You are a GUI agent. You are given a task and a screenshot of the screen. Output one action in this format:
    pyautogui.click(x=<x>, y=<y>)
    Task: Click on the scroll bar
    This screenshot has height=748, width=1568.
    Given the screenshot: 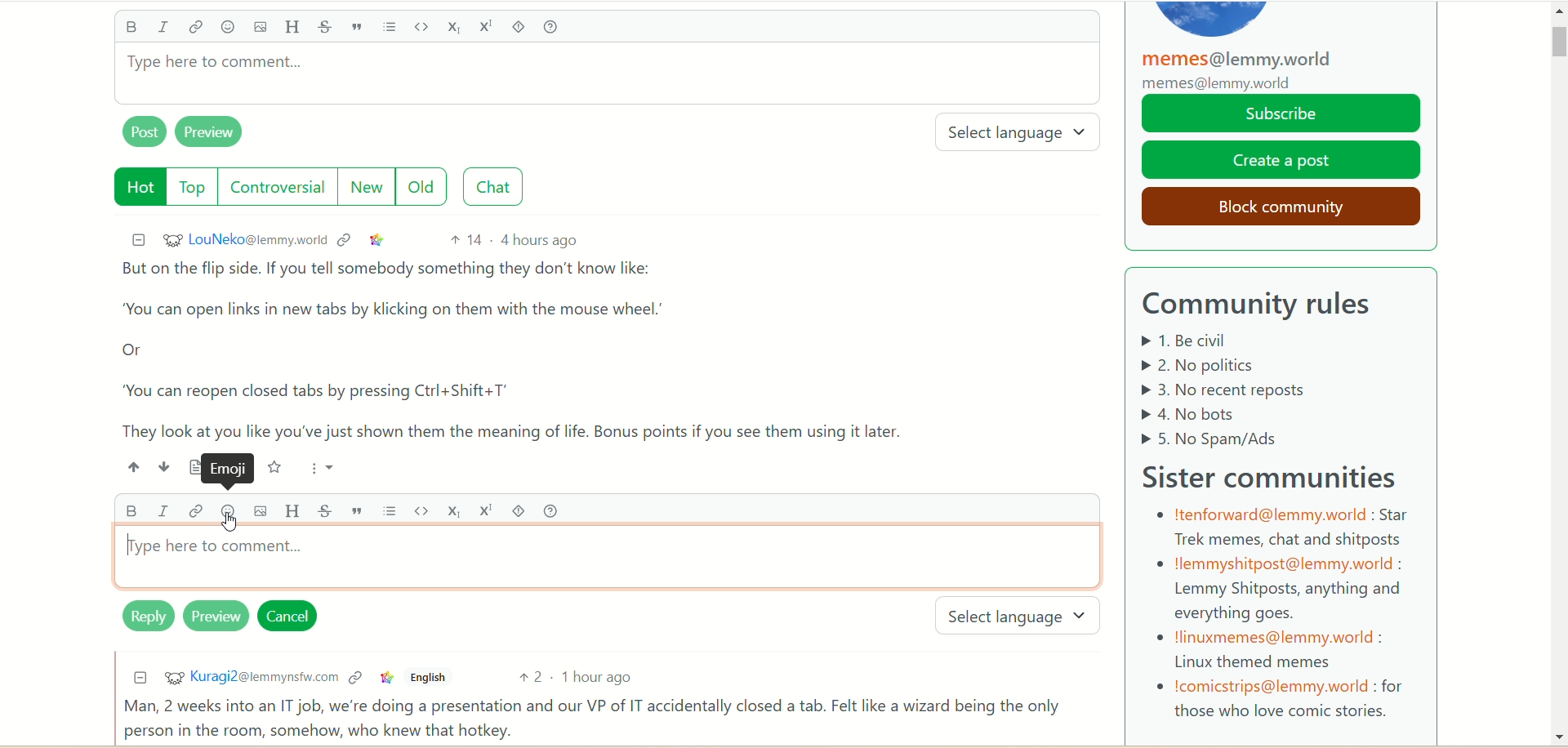 What is the action you would take?
    pyautogui.click(x=1557, y=106)
    